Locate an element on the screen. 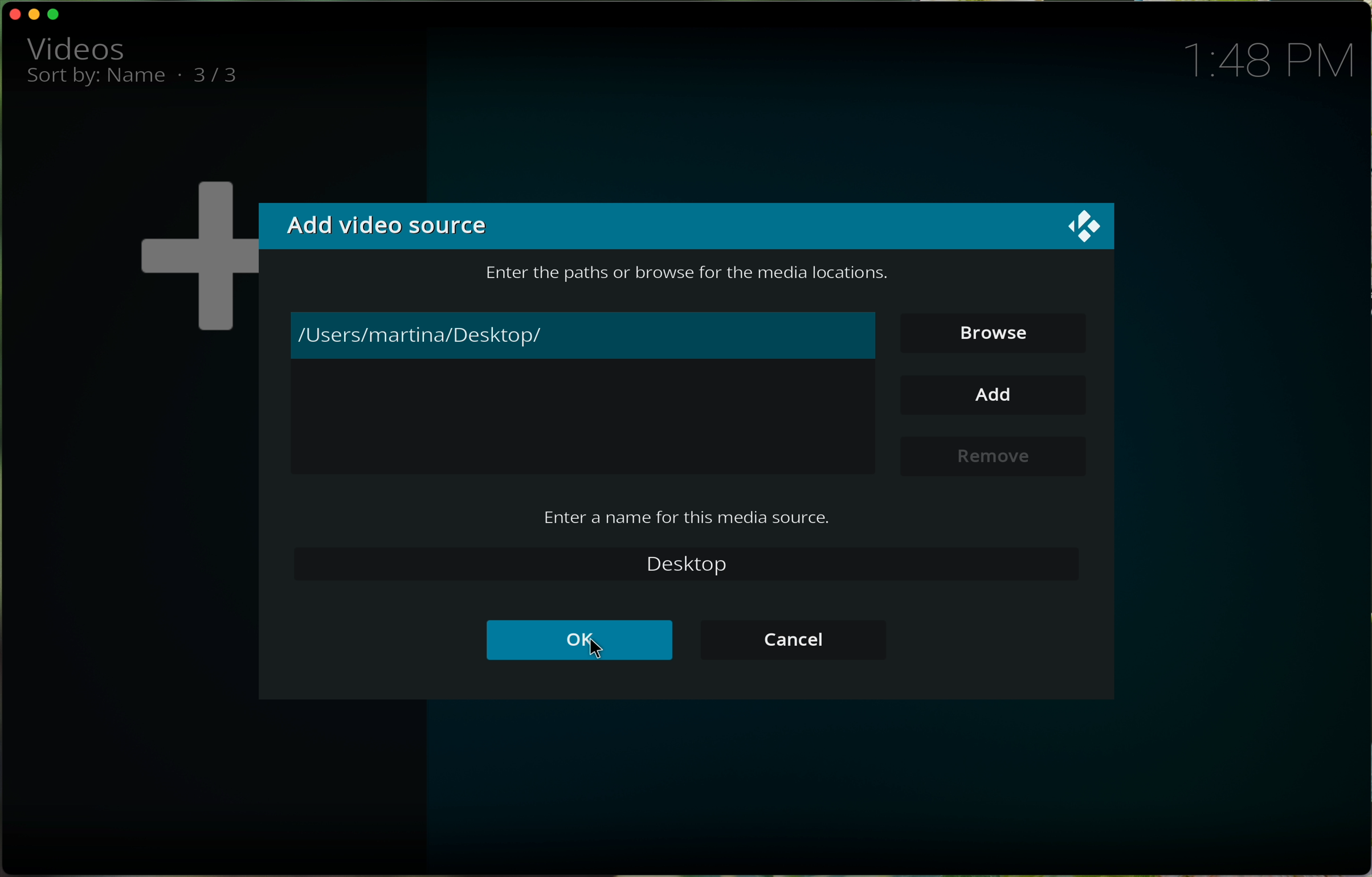 The height and width of the screenshot is (877, 1372). sort by name is located at coordinates (97, 80).